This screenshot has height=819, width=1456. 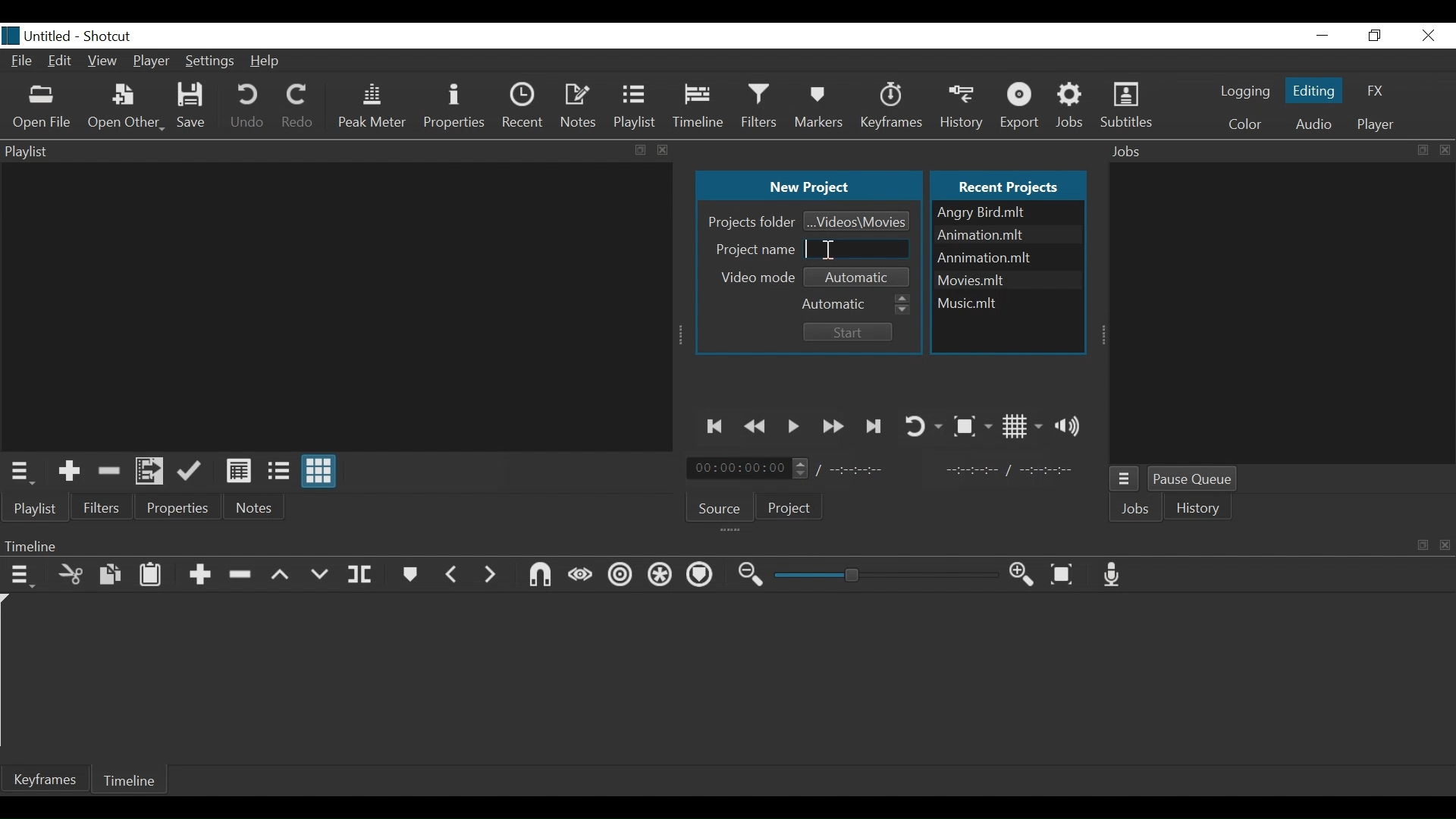 I want to click on View as file, so click(x=278, y=471).